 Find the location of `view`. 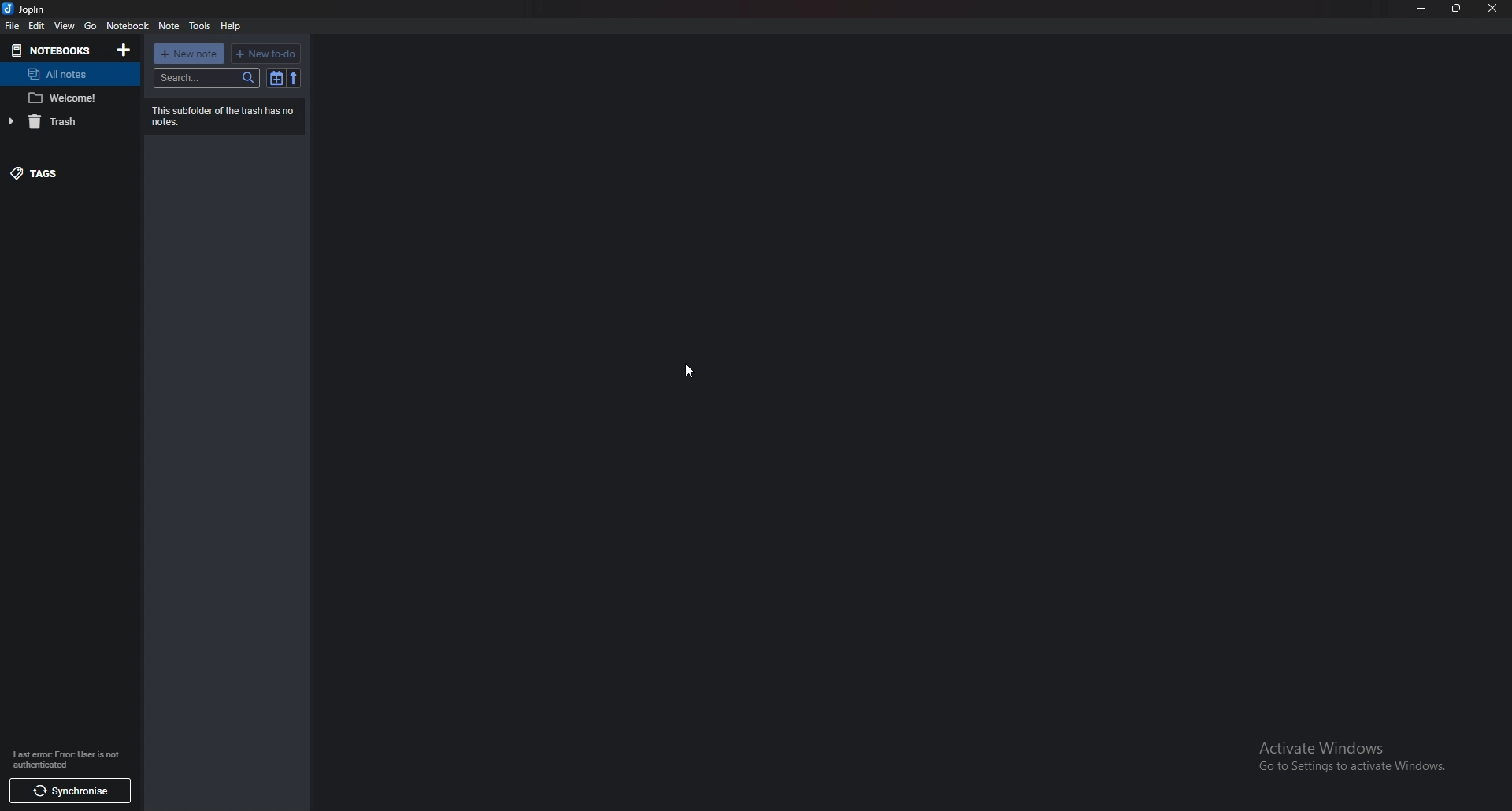

view is located at coordinates (67, 25).